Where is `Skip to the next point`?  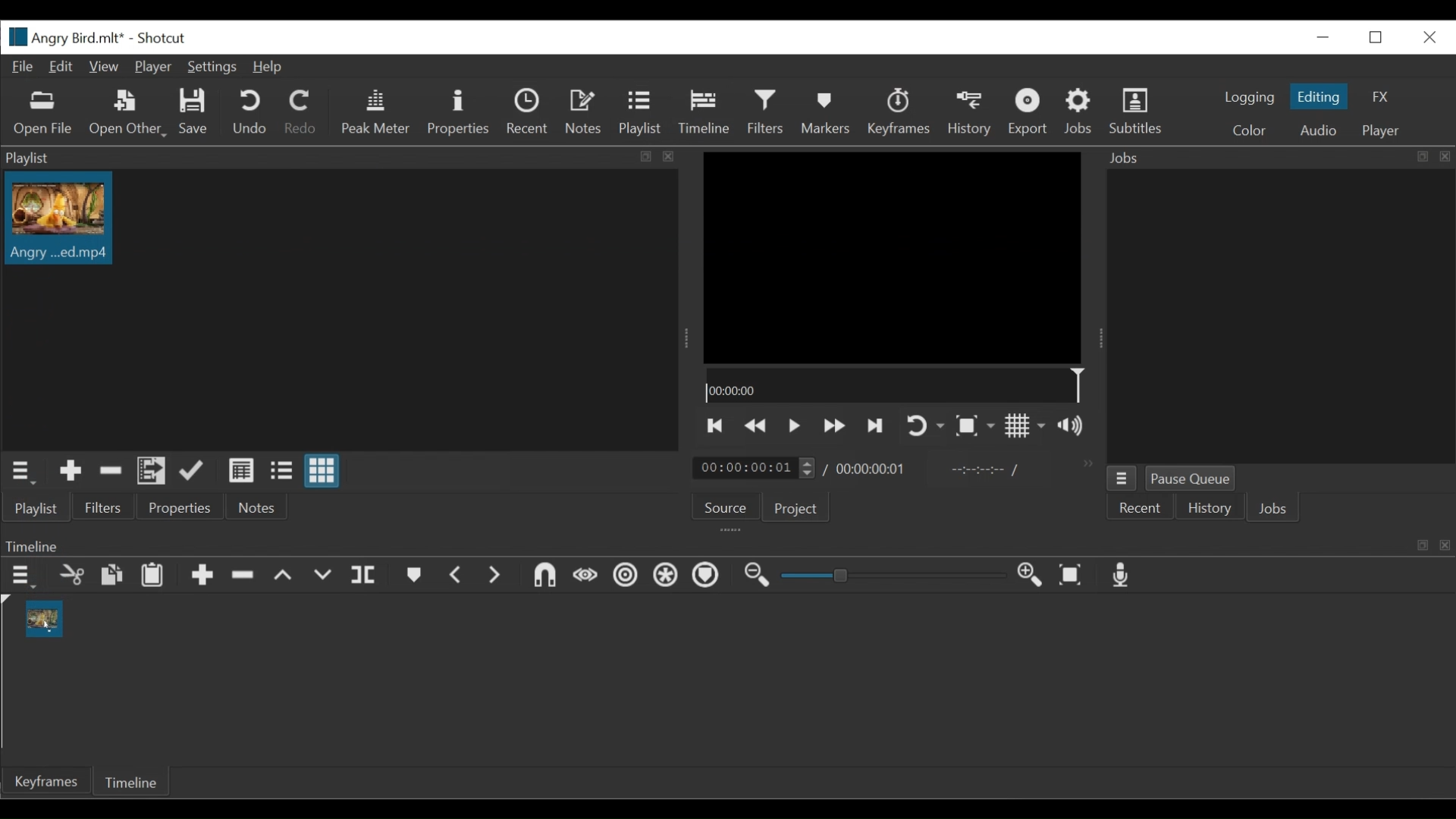
Skip to the next point is located at coordinates (877, 427).